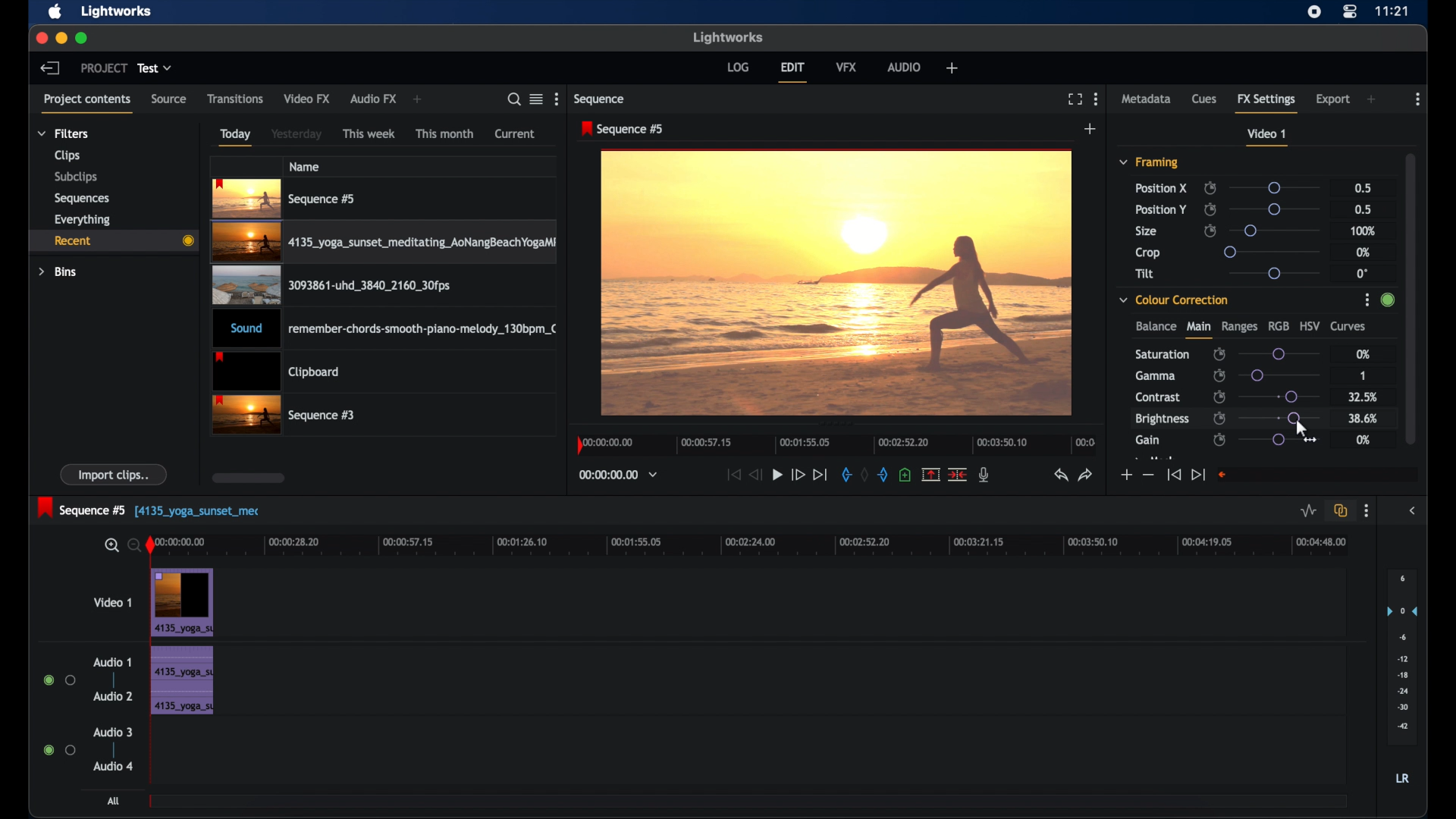  I want to click on edit, so click(792, 72).